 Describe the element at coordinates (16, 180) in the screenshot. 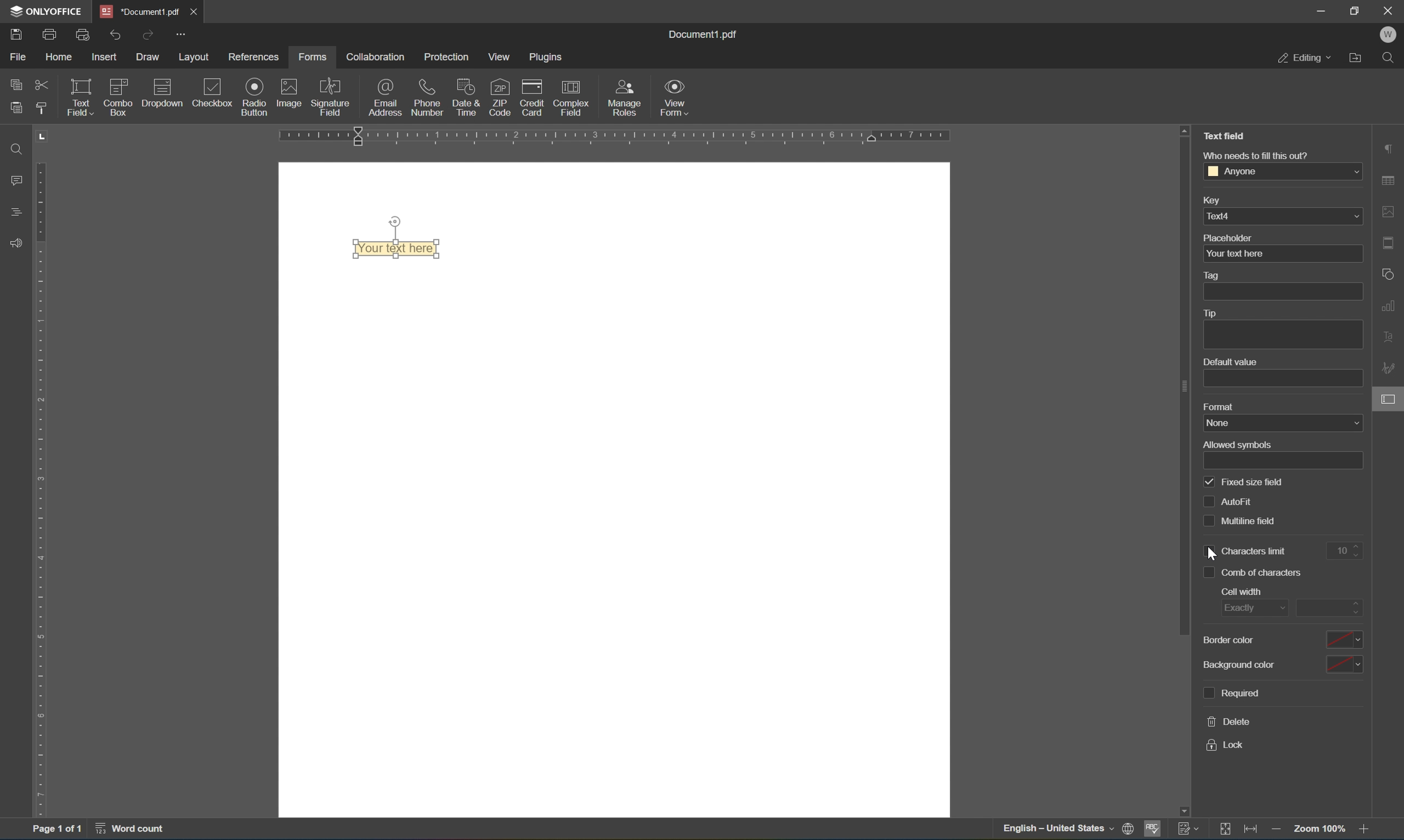

I see `comments` at that location.